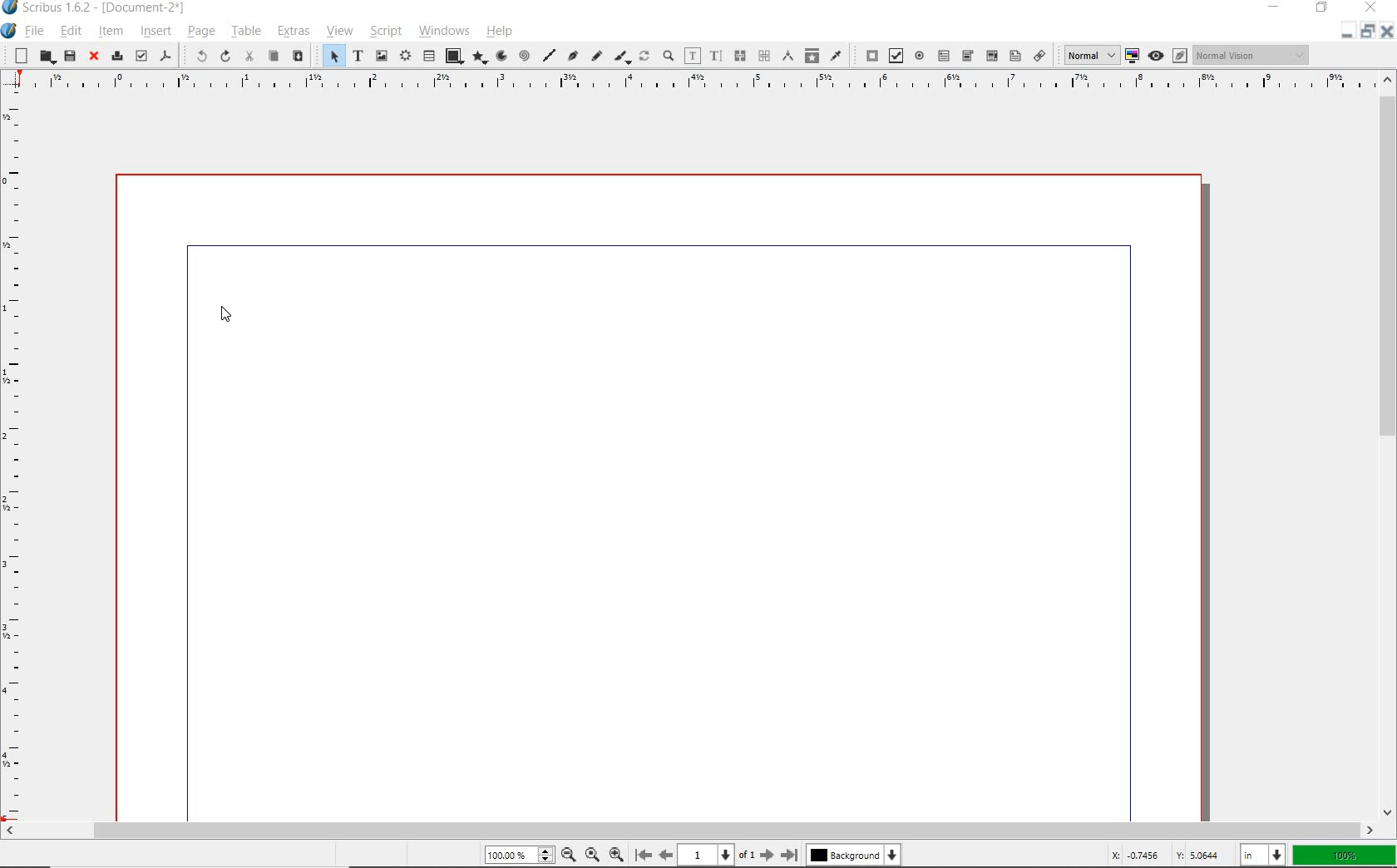  I want to click on eye dropper, so click(836, 57).